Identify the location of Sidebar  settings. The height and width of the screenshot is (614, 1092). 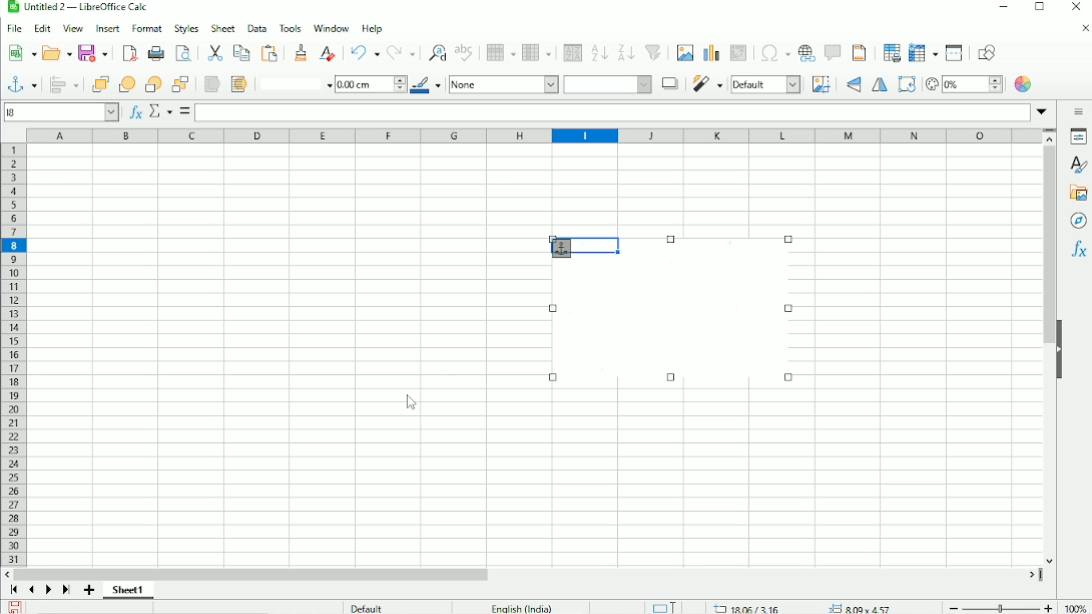
(1078, 113).